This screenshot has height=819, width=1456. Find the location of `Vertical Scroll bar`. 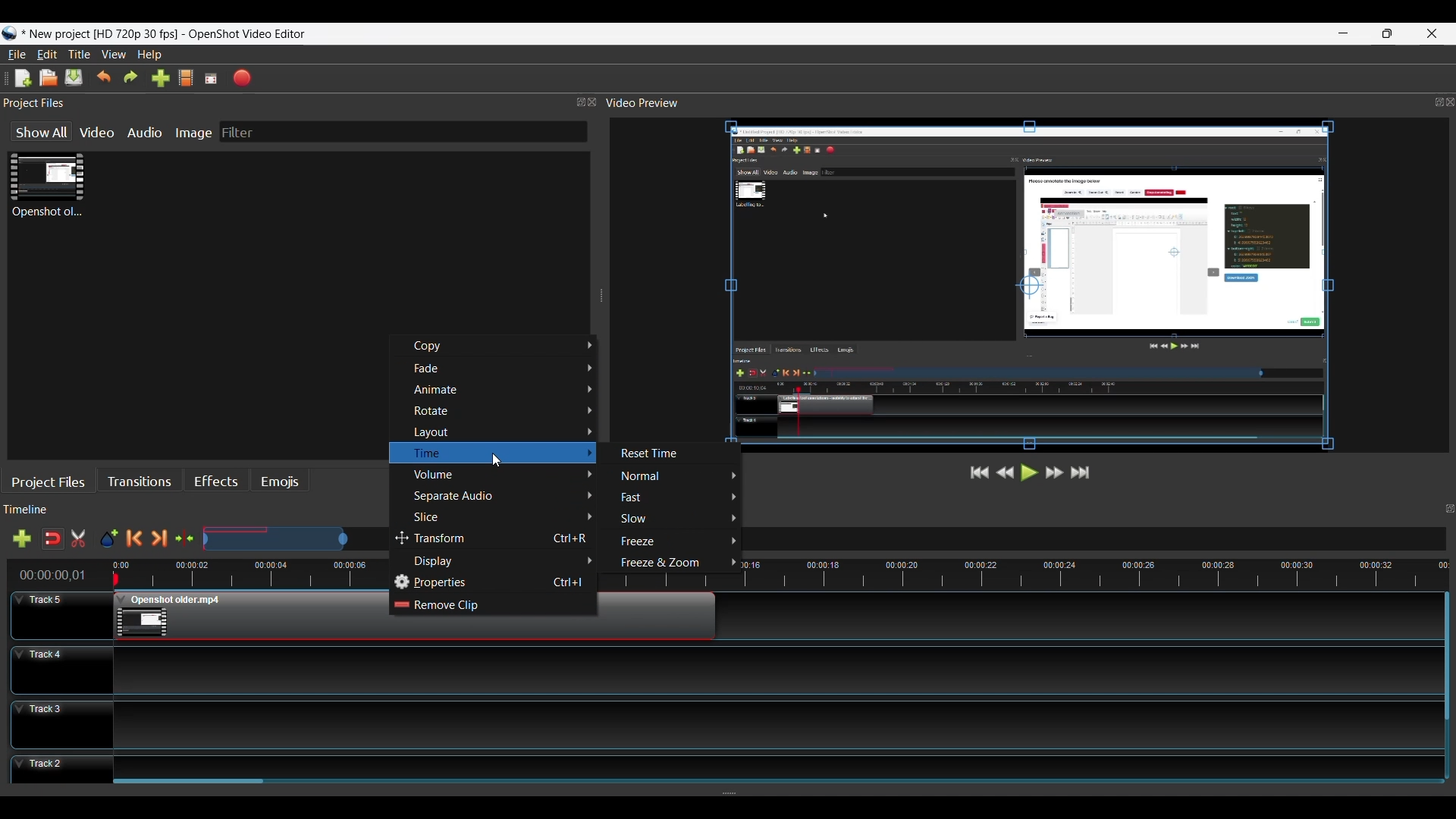

Vertical Scroll bar is located at coordinates (1446, 657).